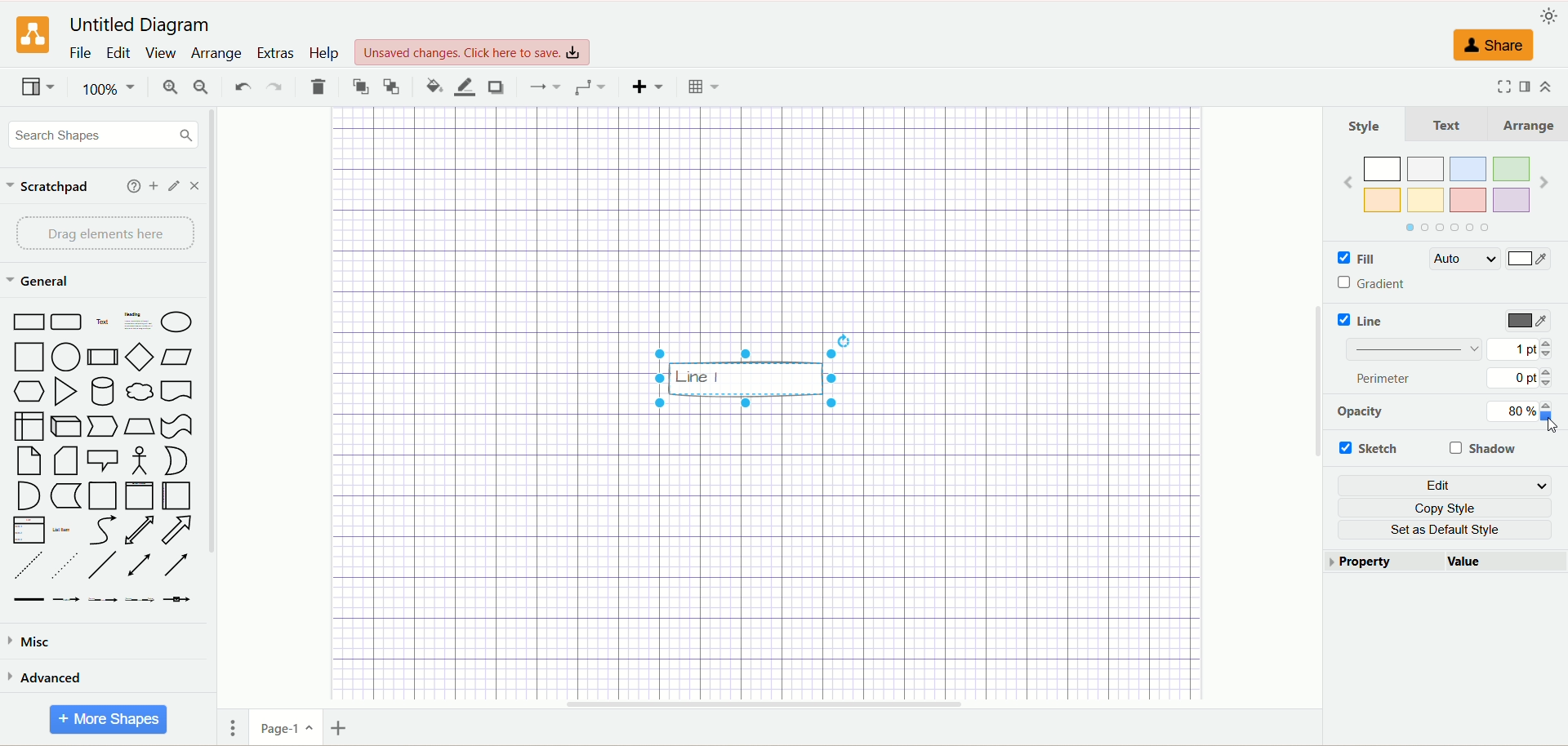 Image resolution: width=1568 pixels, height=746 pixels. What do you see at coordinates (1358, 413) in the screenshot?
I see `opacity` at bounding box center [1358, 413].